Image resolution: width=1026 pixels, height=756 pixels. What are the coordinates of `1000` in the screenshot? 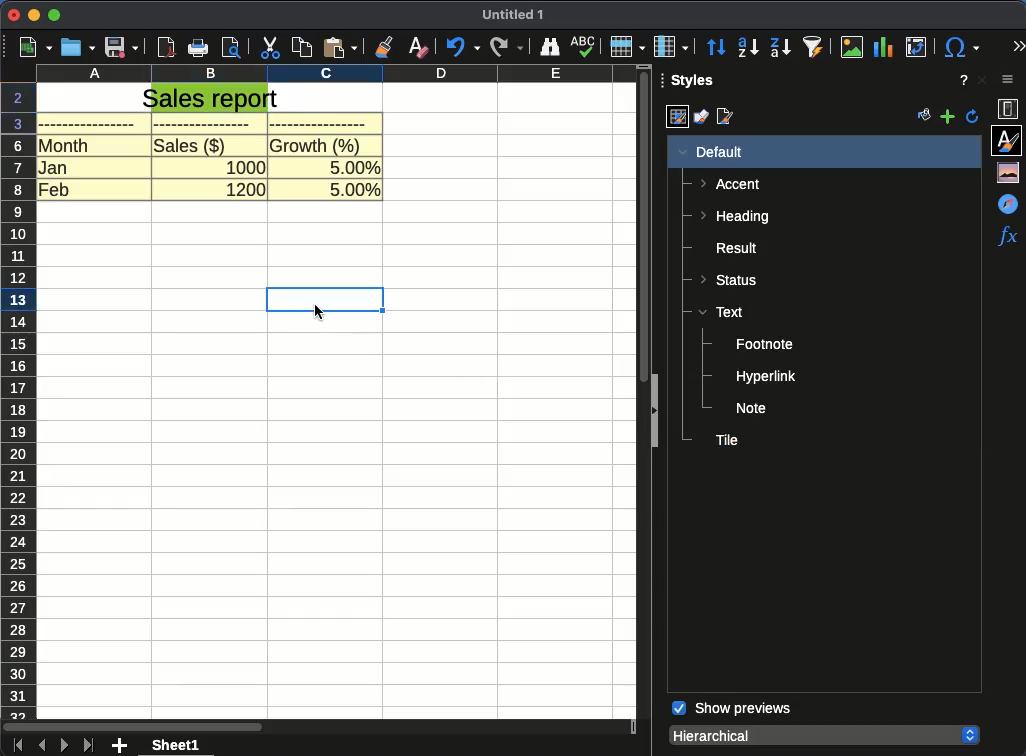 It's located at (244, 167).